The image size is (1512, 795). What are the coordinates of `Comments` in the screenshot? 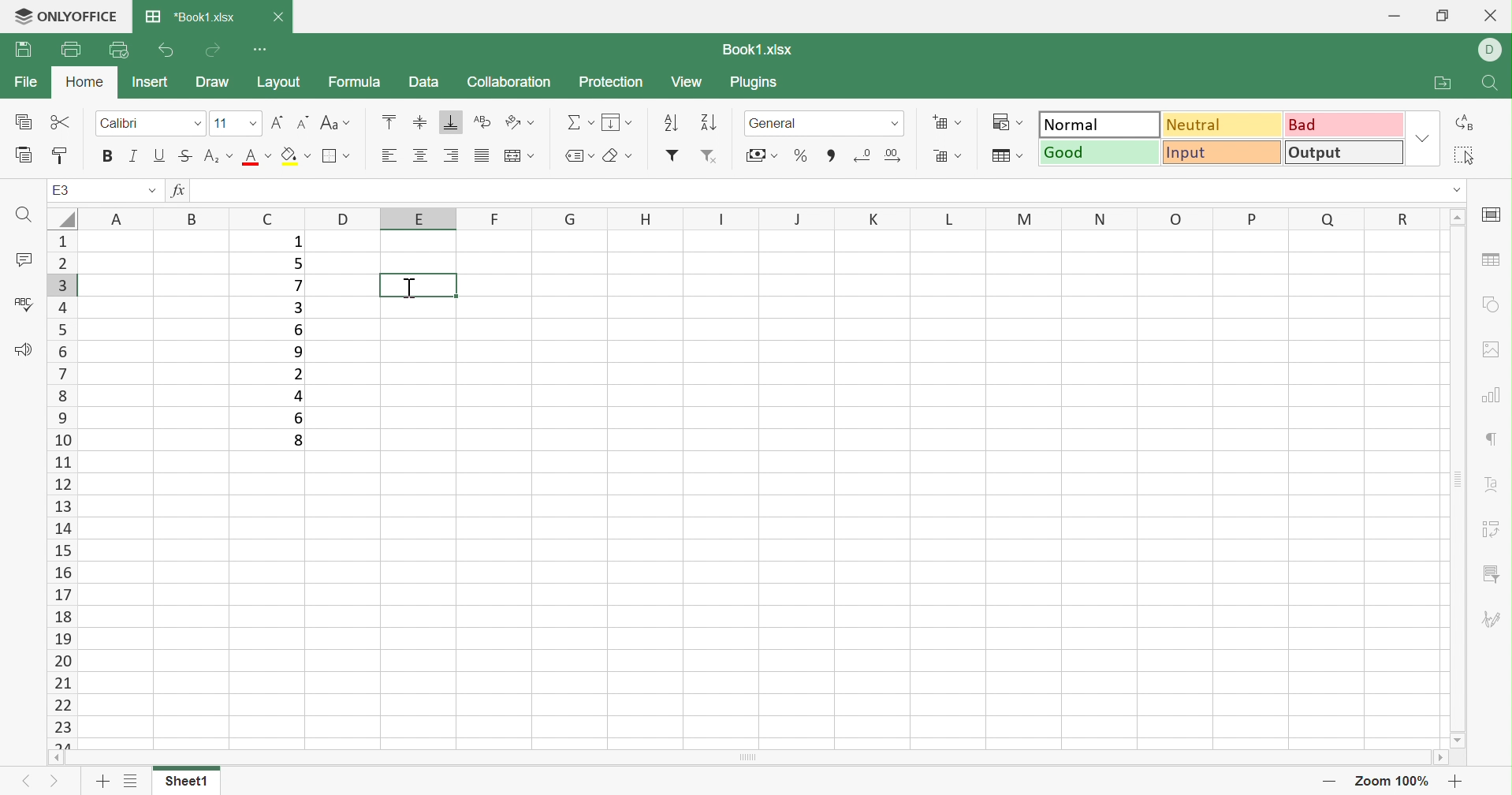 It's located at (23, 260).